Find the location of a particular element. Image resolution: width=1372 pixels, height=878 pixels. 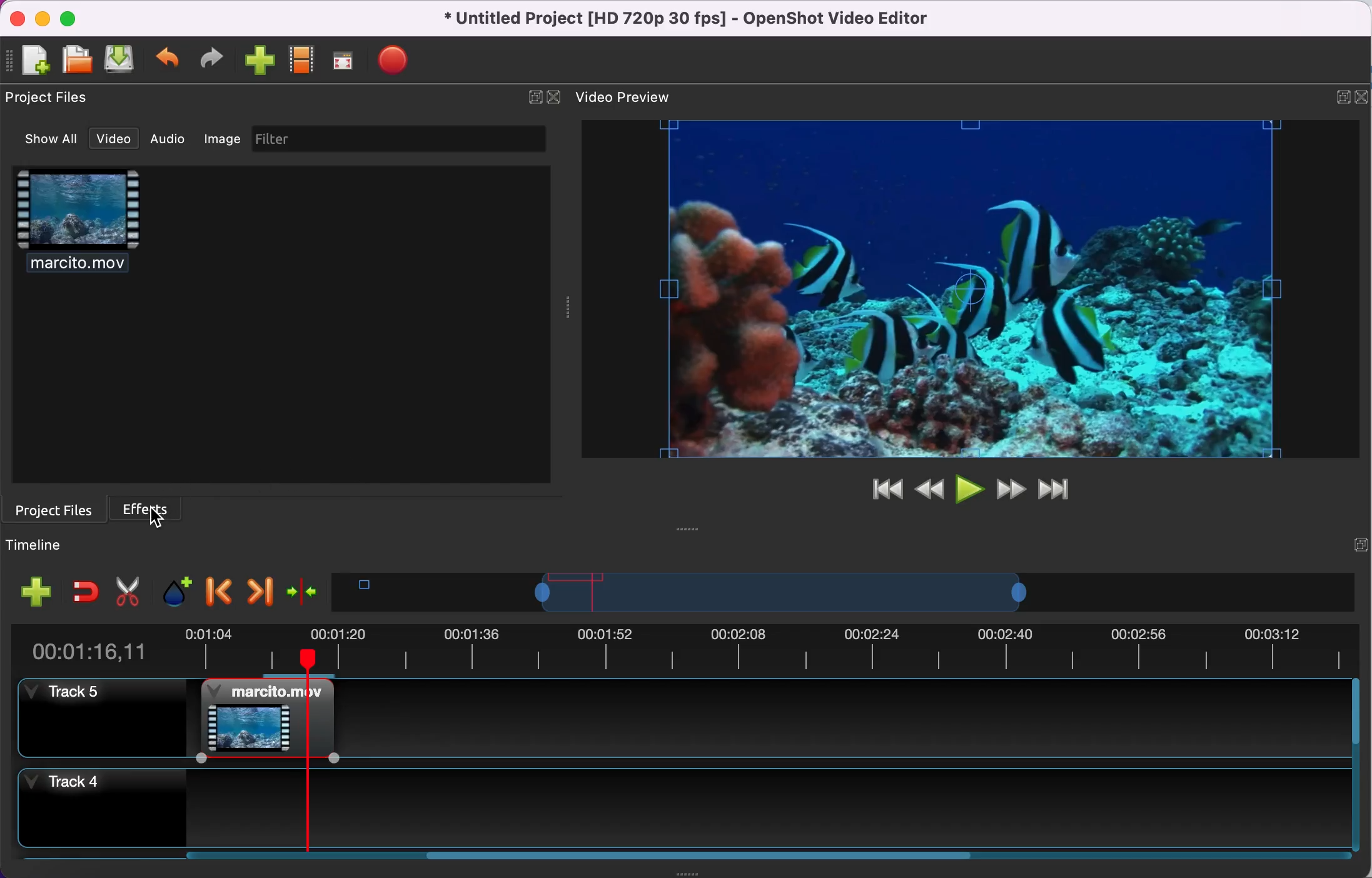

save file is located at coordinates (122, 61).